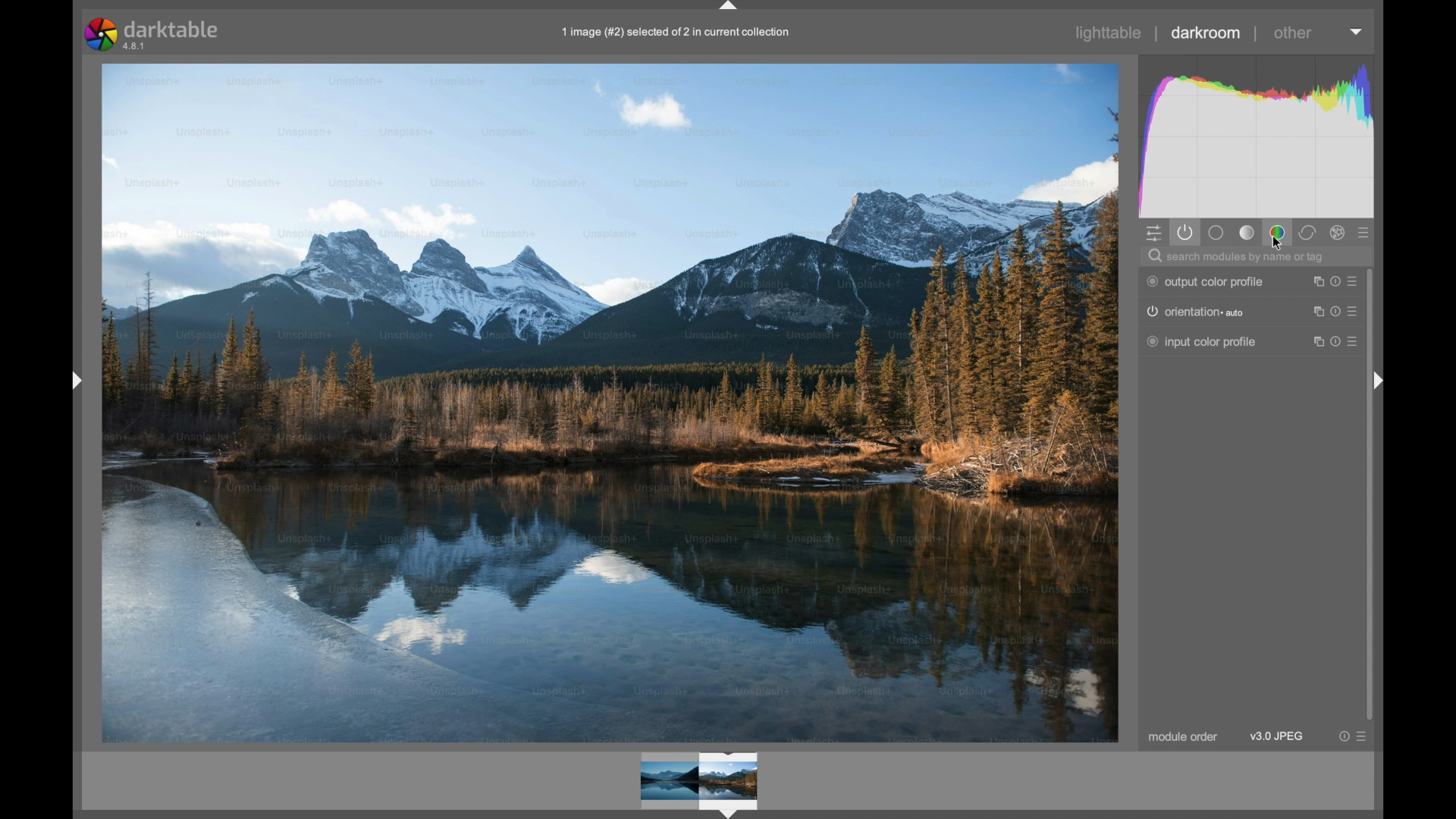 The image size is (1456, 819). Describe the element at coordinates (610, 401) in the screenshot. I see `photo` at that location.